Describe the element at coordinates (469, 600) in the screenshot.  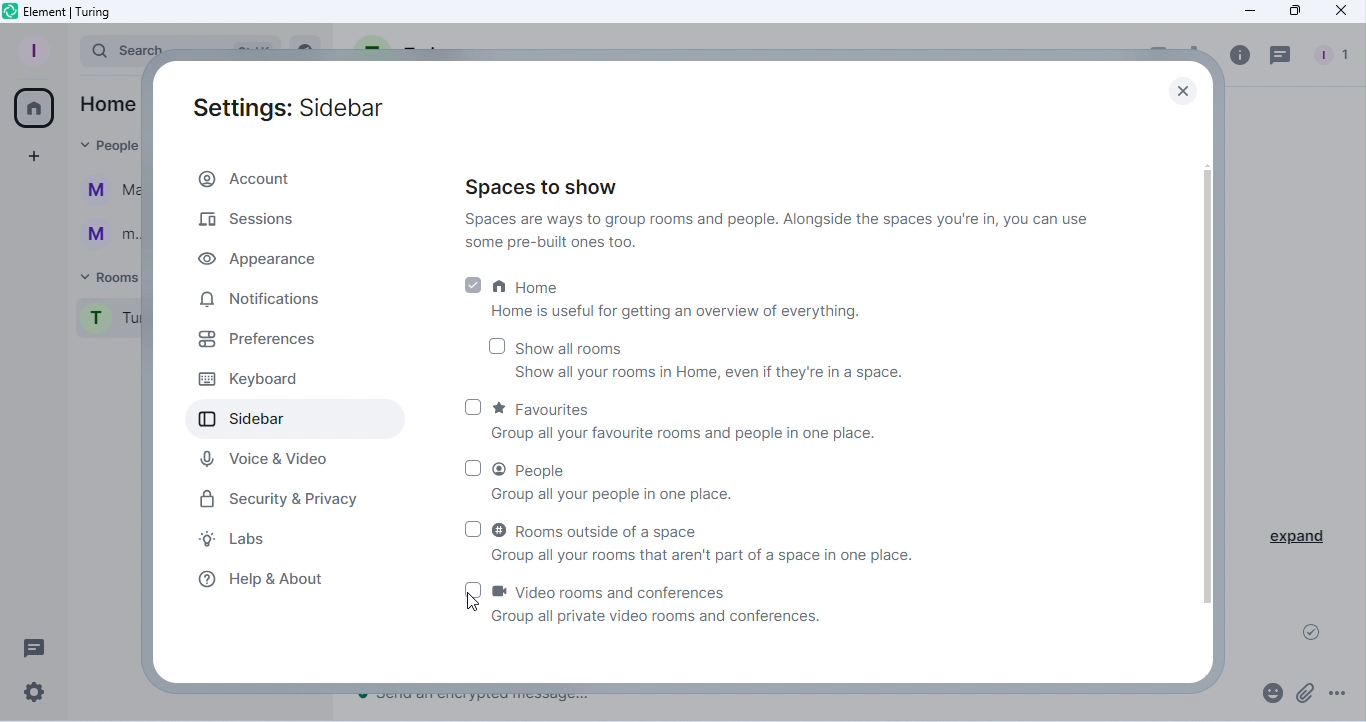
I see `Cursor` at that location.